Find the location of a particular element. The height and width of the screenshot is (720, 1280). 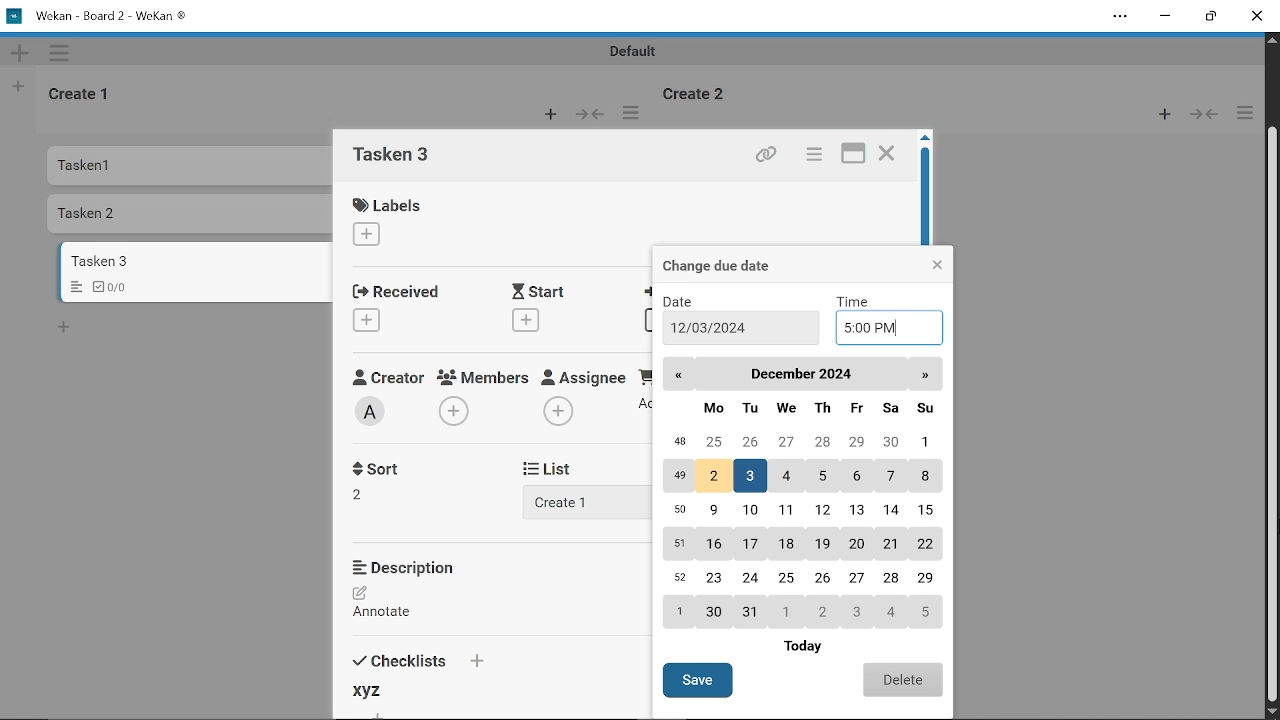

Forward/Back is located at coordinates (590, 113).